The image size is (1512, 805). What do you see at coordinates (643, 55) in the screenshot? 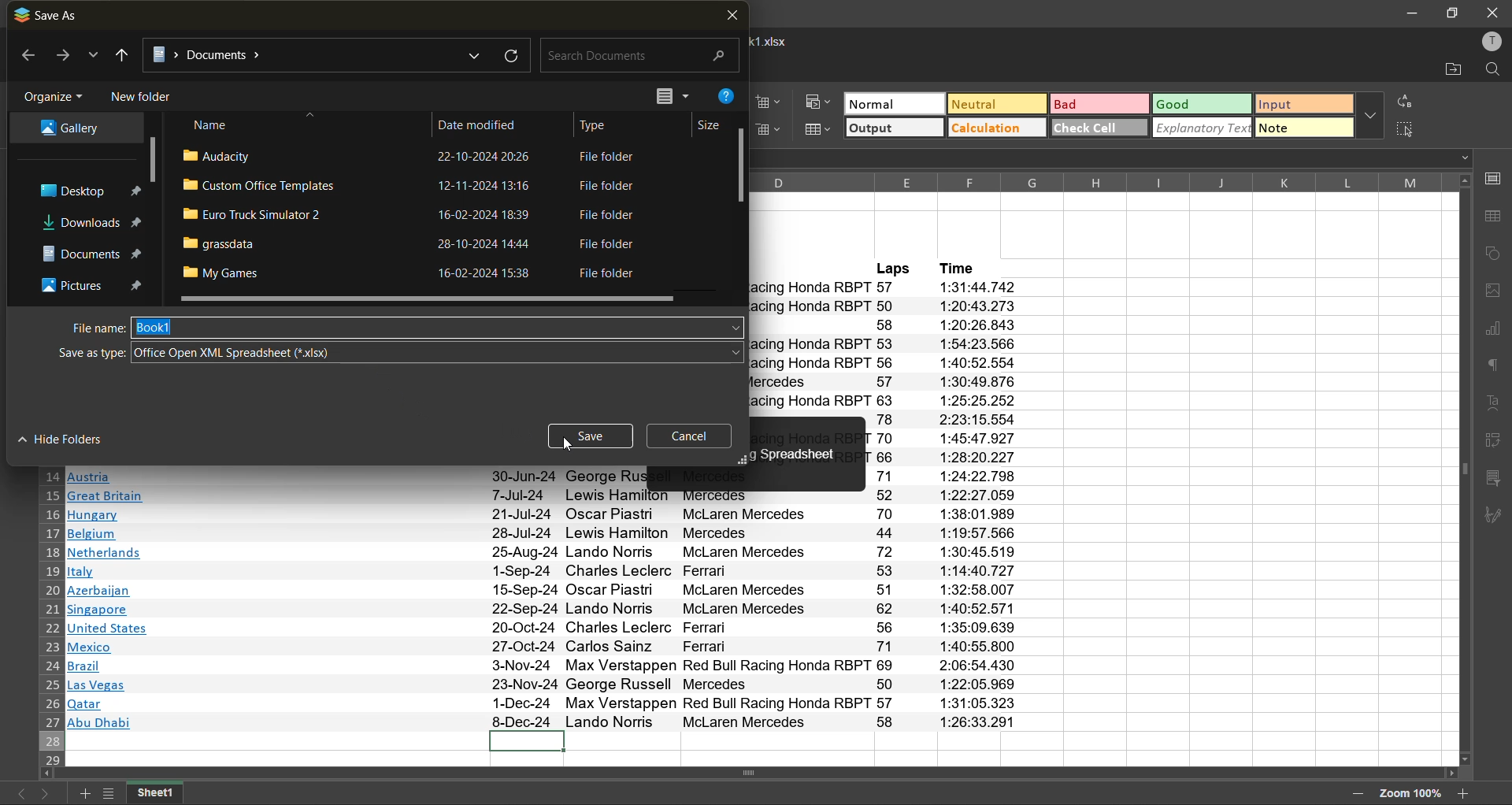
I see `search` at bounding box center [643, 55].